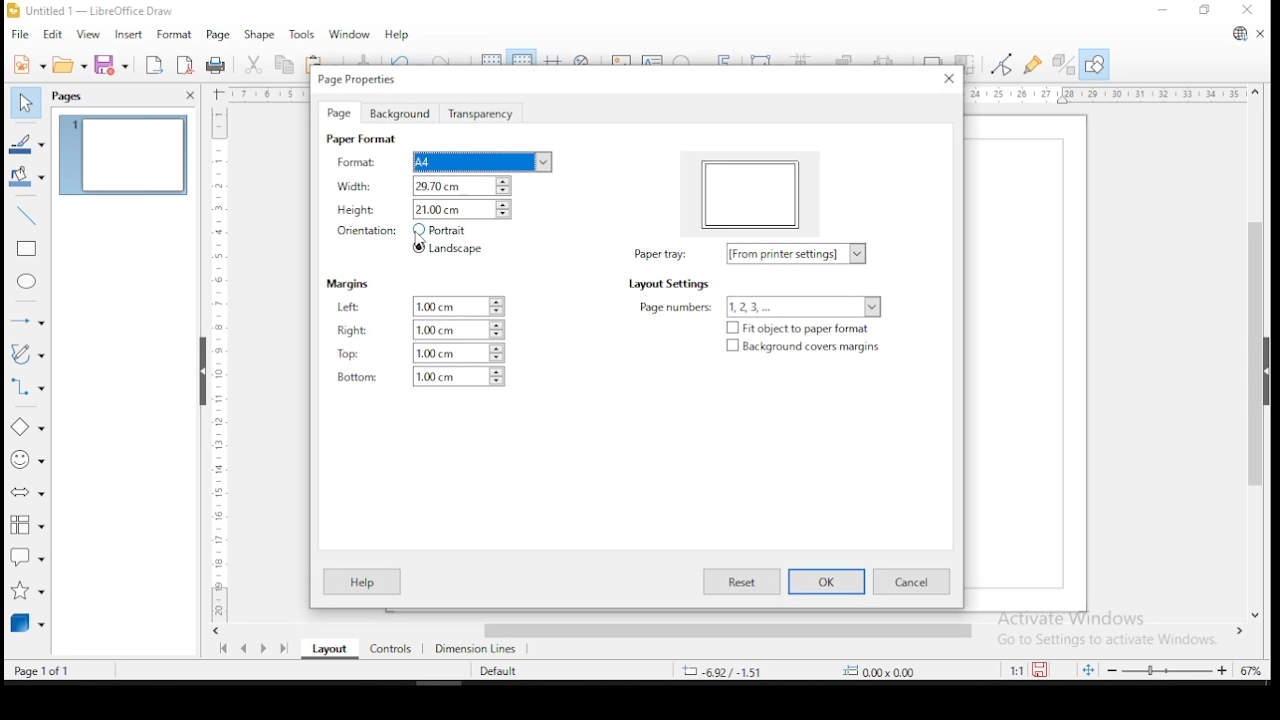  I want to click on format, so click(175, 36).